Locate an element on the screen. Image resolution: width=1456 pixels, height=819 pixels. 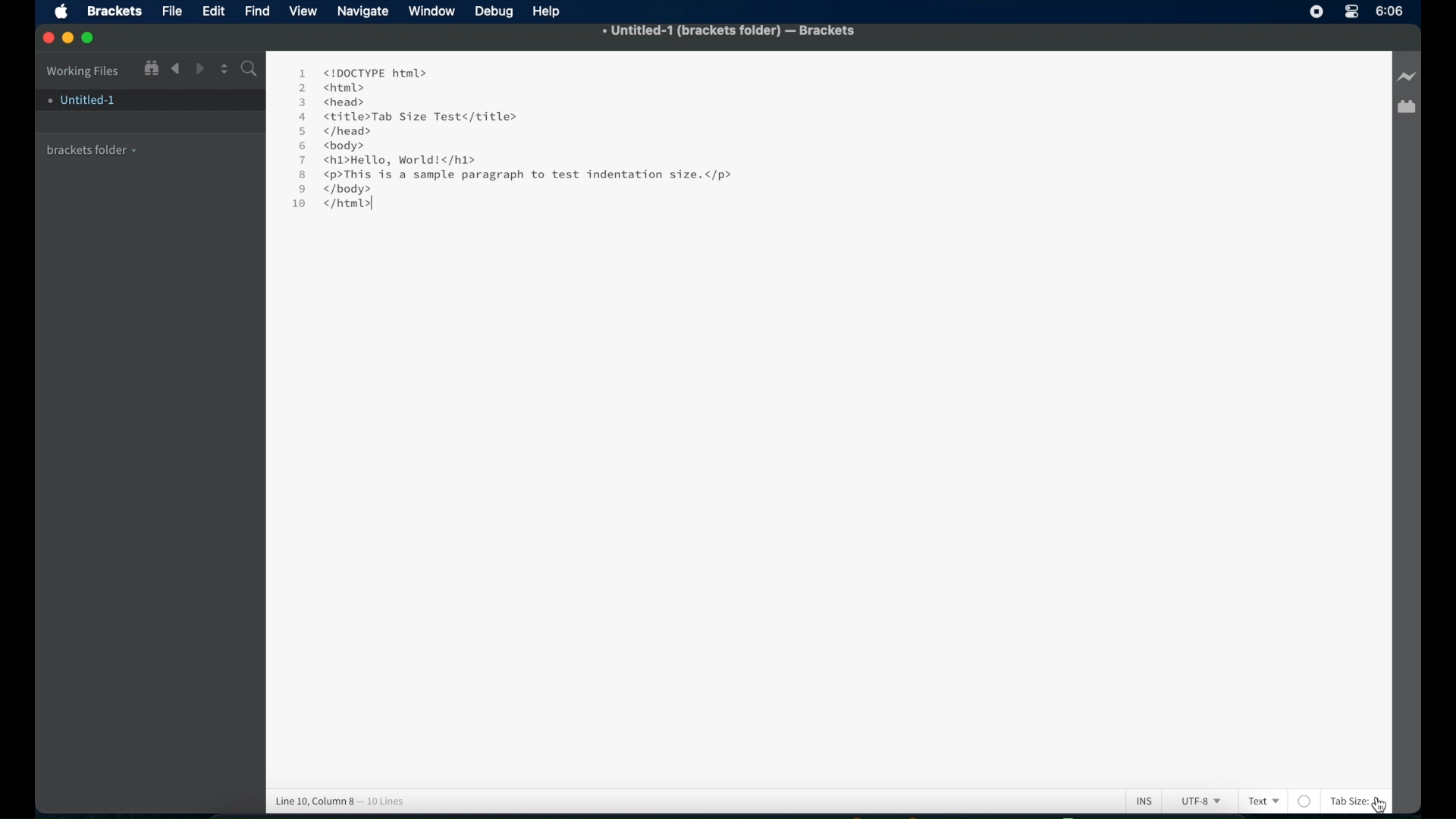
Maximize is located at coordinates (93, 38).